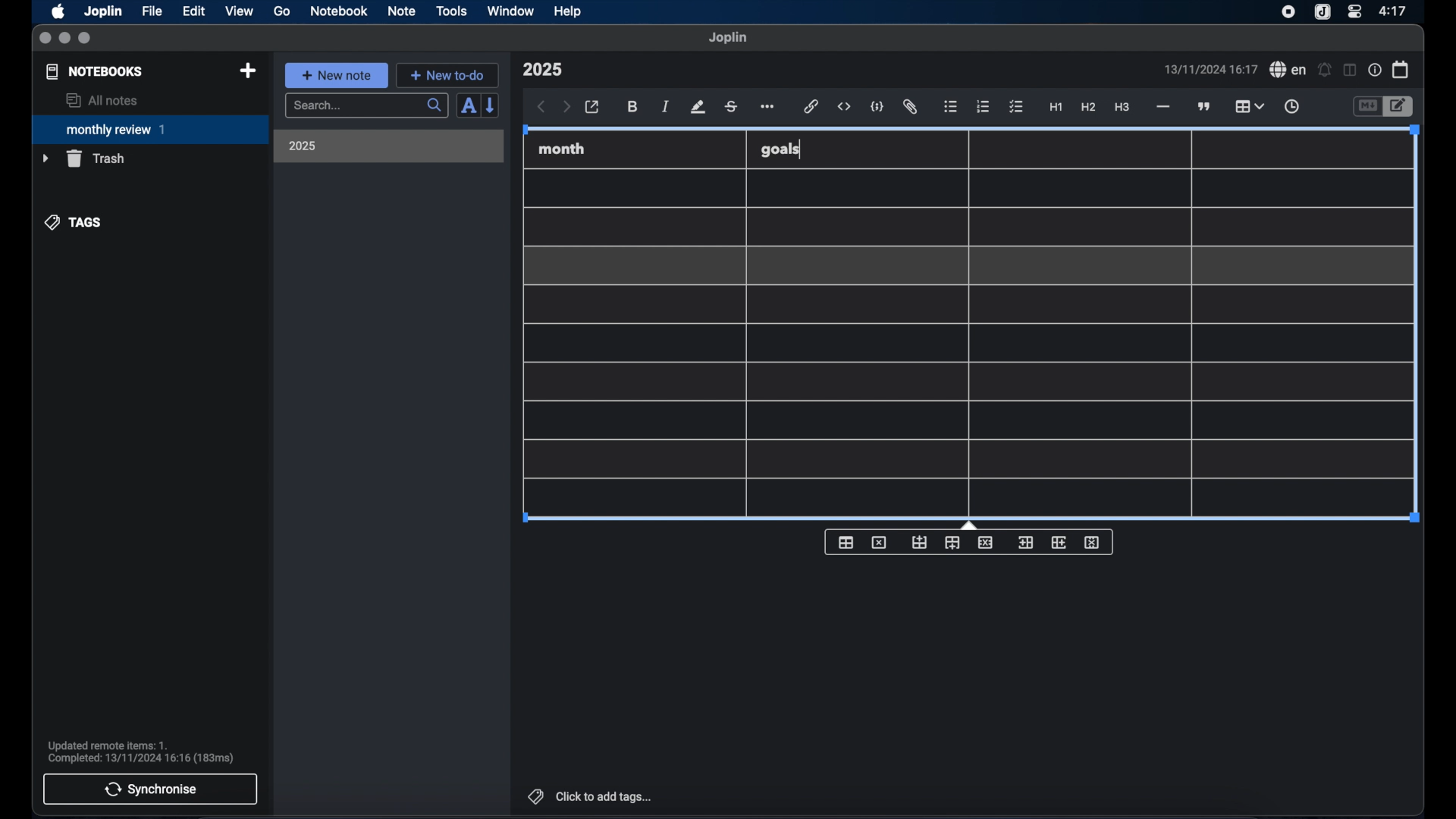 The height and width of the screenshot is (819, 1456). I want to click on view, so click(239, 11).